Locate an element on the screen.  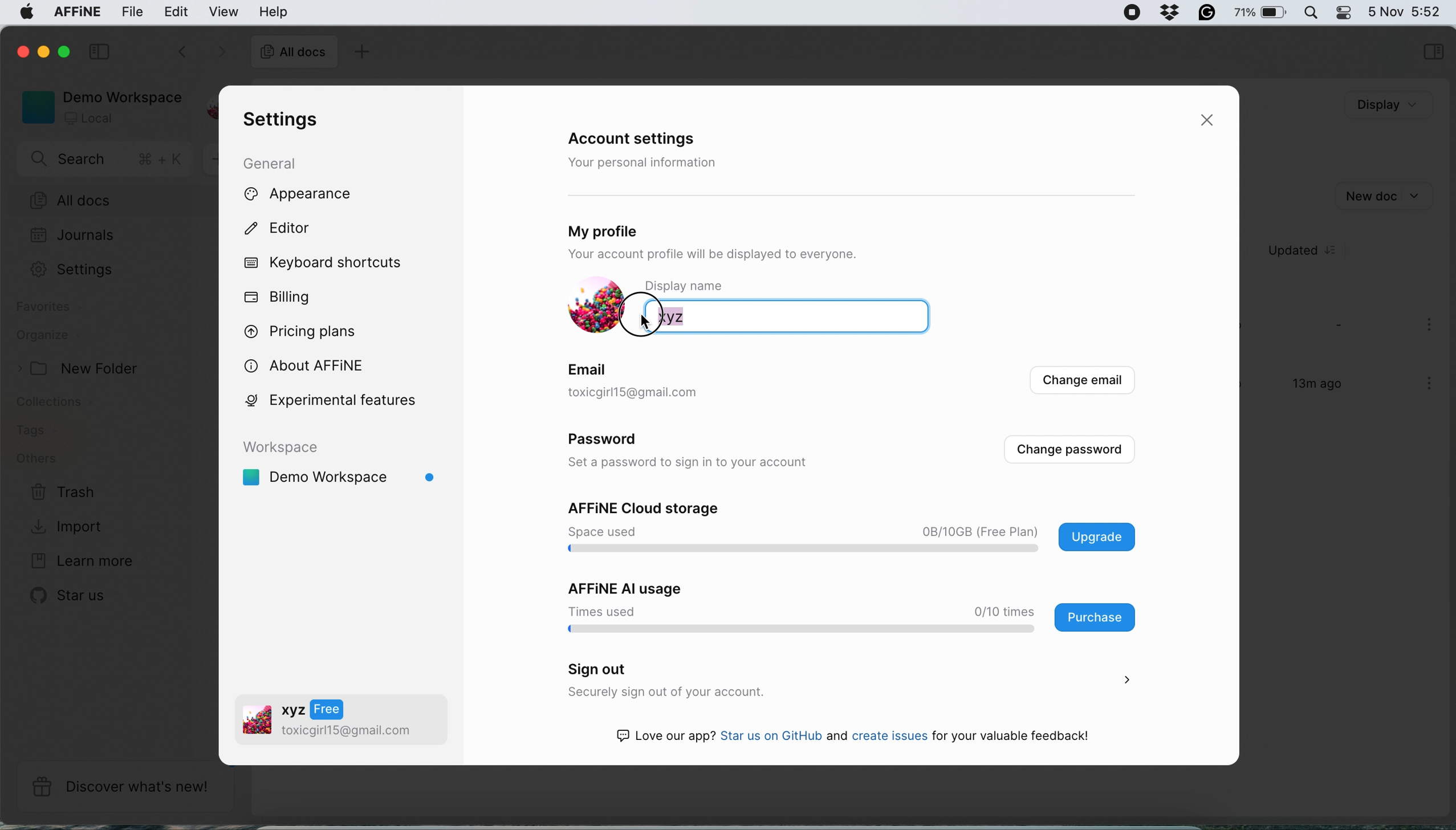
Display is located at coordinates (1370, 105).